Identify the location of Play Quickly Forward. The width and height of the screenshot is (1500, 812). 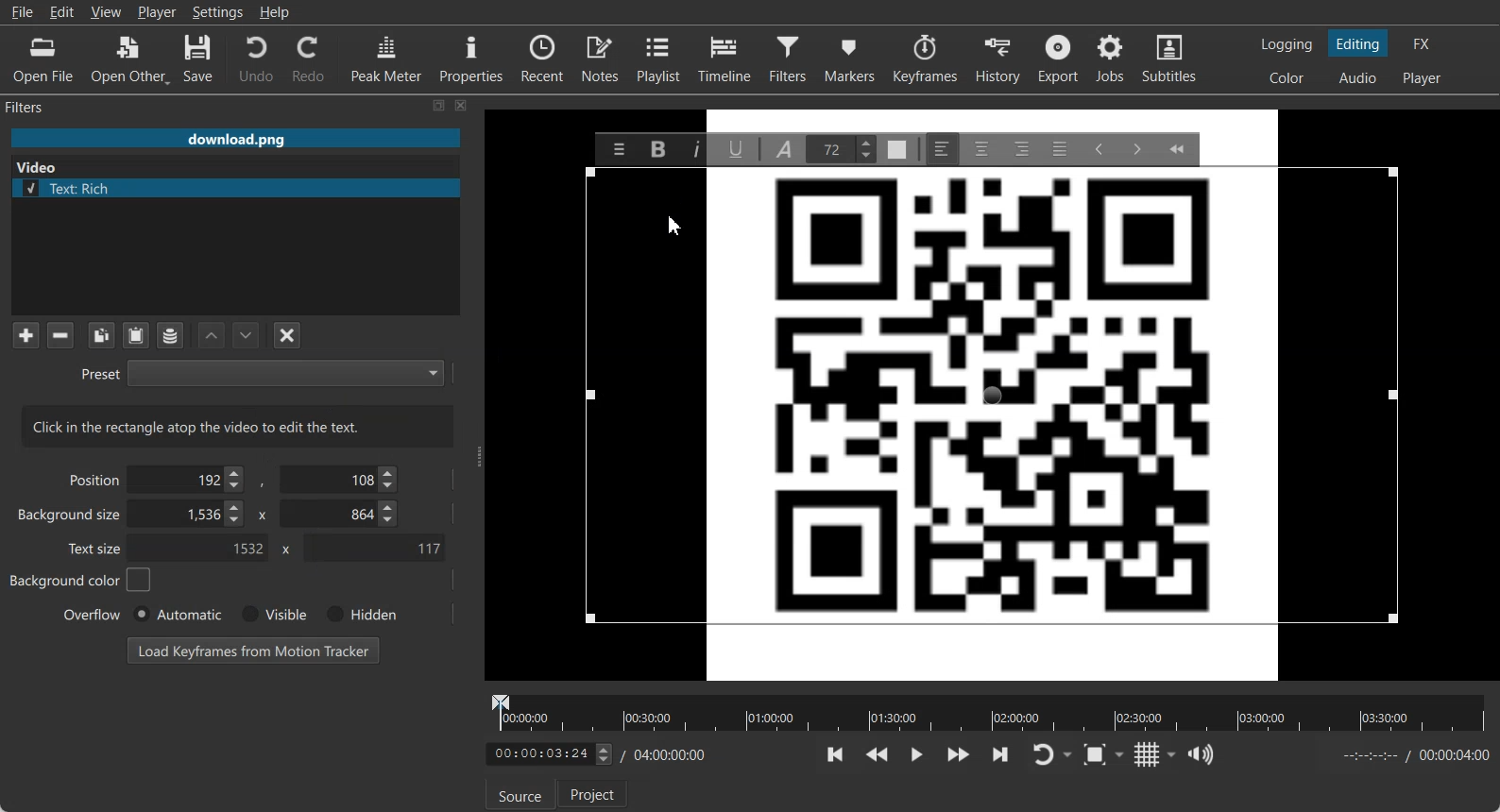
(959, 754).